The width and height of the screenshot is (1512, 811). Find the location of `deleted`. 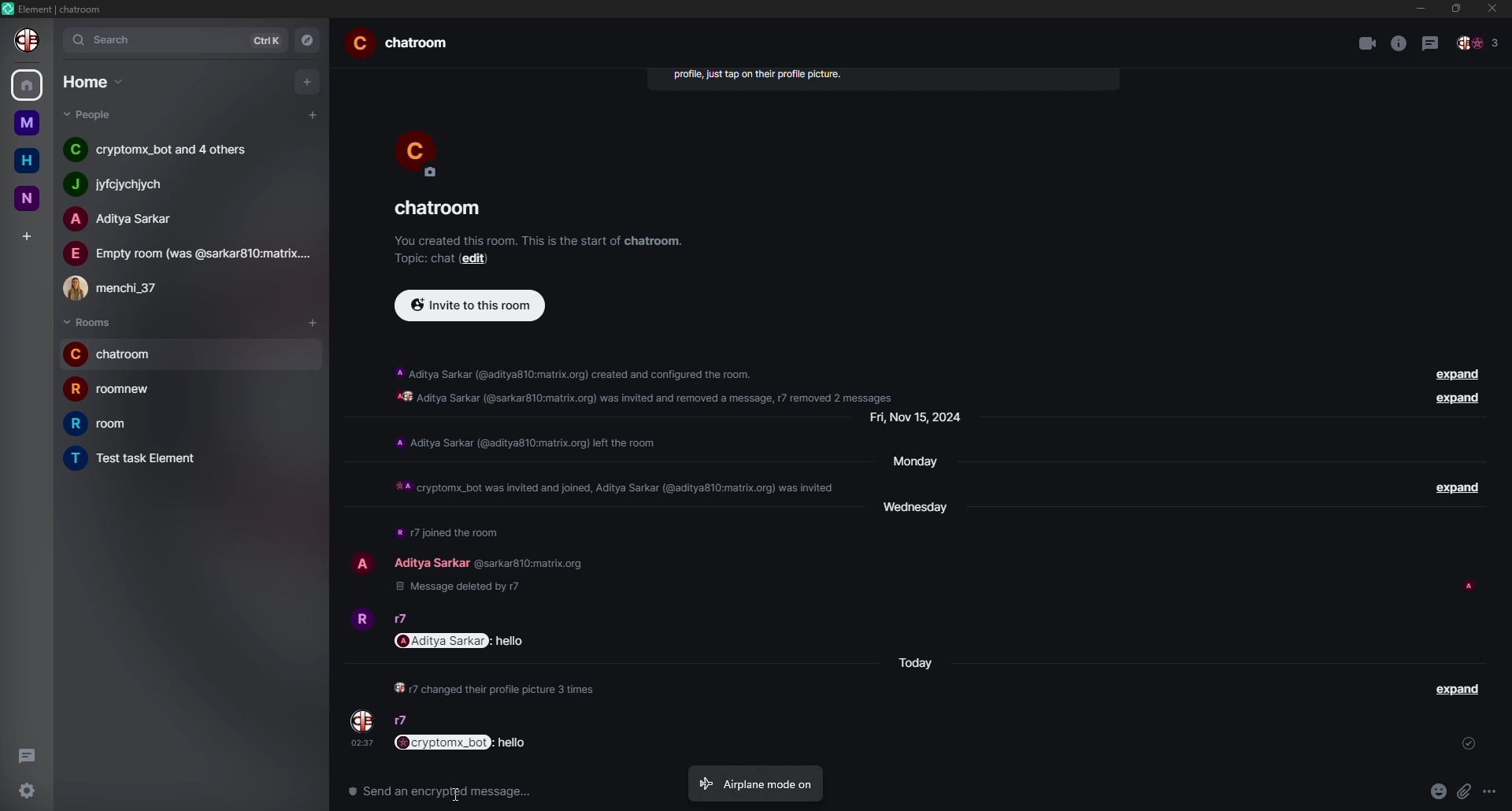

deleted is located at coordinates (463, 588).